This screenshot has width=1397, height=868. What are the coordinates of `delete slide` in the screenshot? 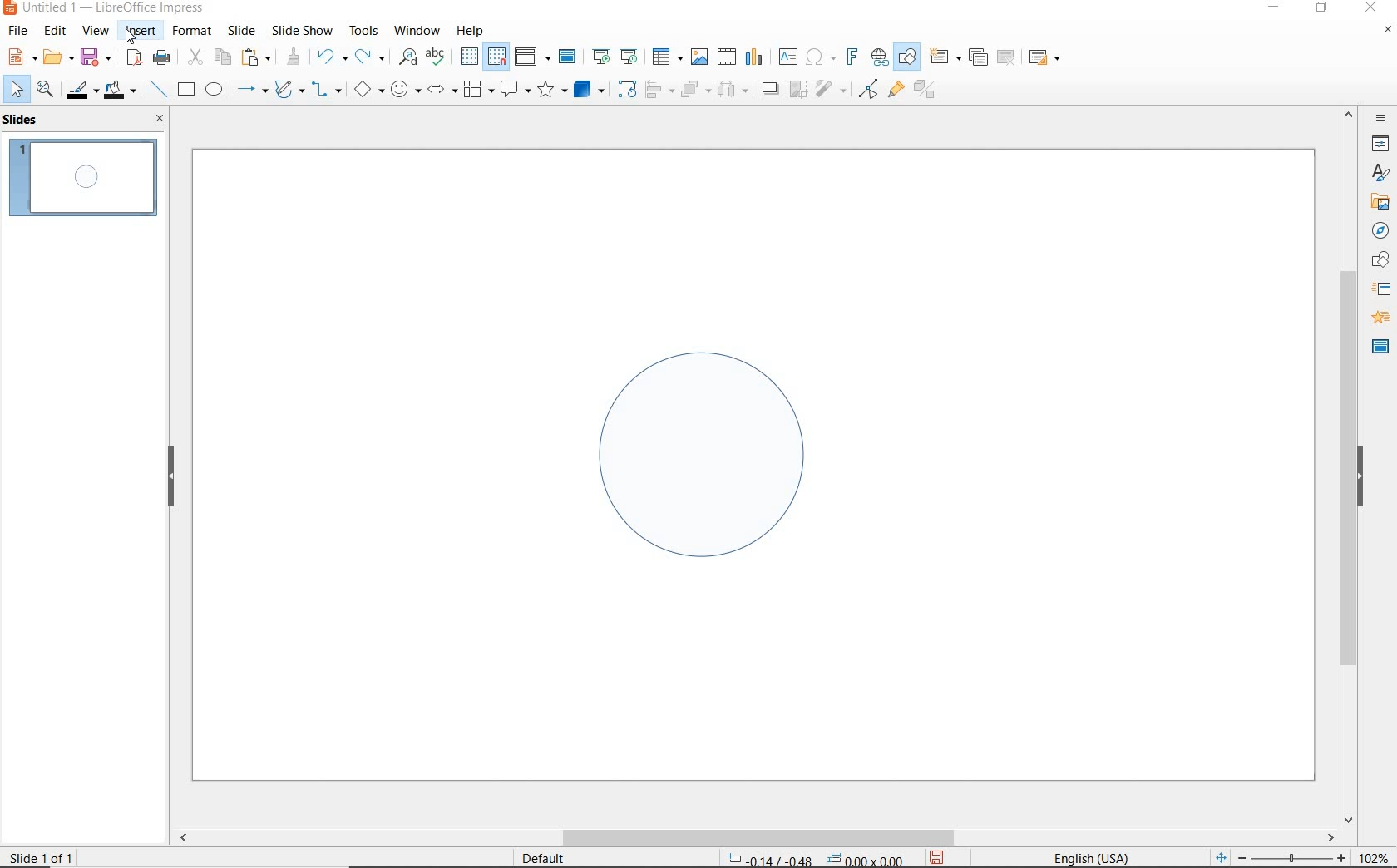 It's located at (1006, 58).